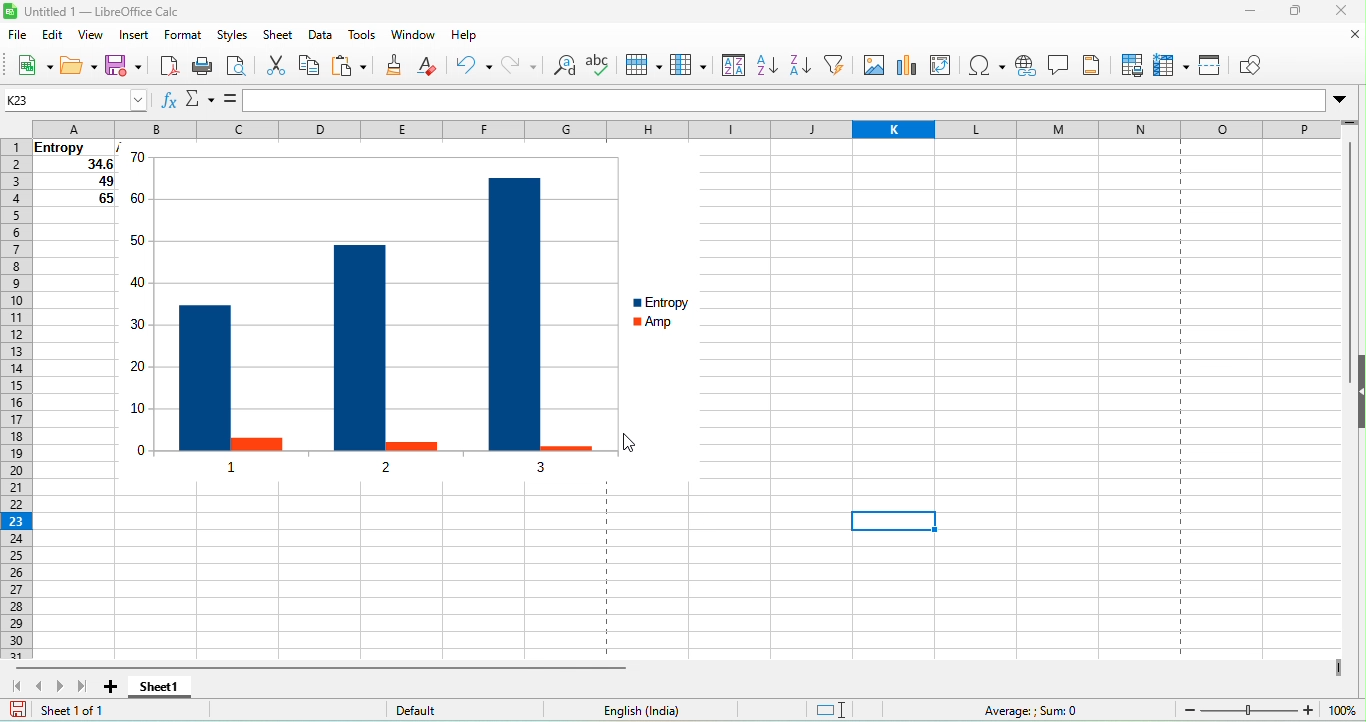 Image resolution: width=1366 pixels, height=722 pixels. Describe the element at coordinates (411, 443) in the screenshot. I see `amp 2` at that location.